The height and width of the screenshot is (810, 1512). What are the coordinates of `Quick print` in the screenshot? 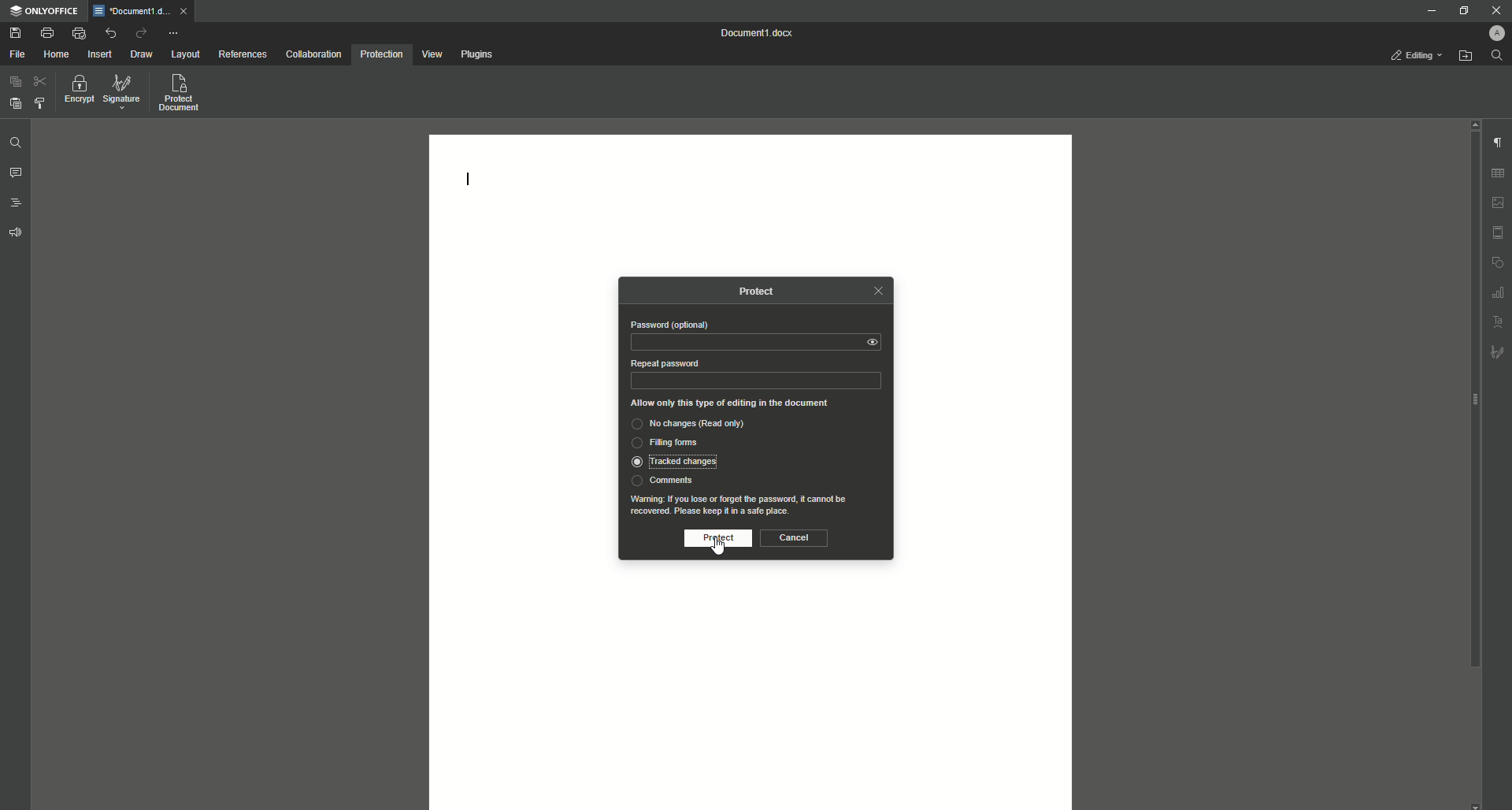 It's located at (77, 32).